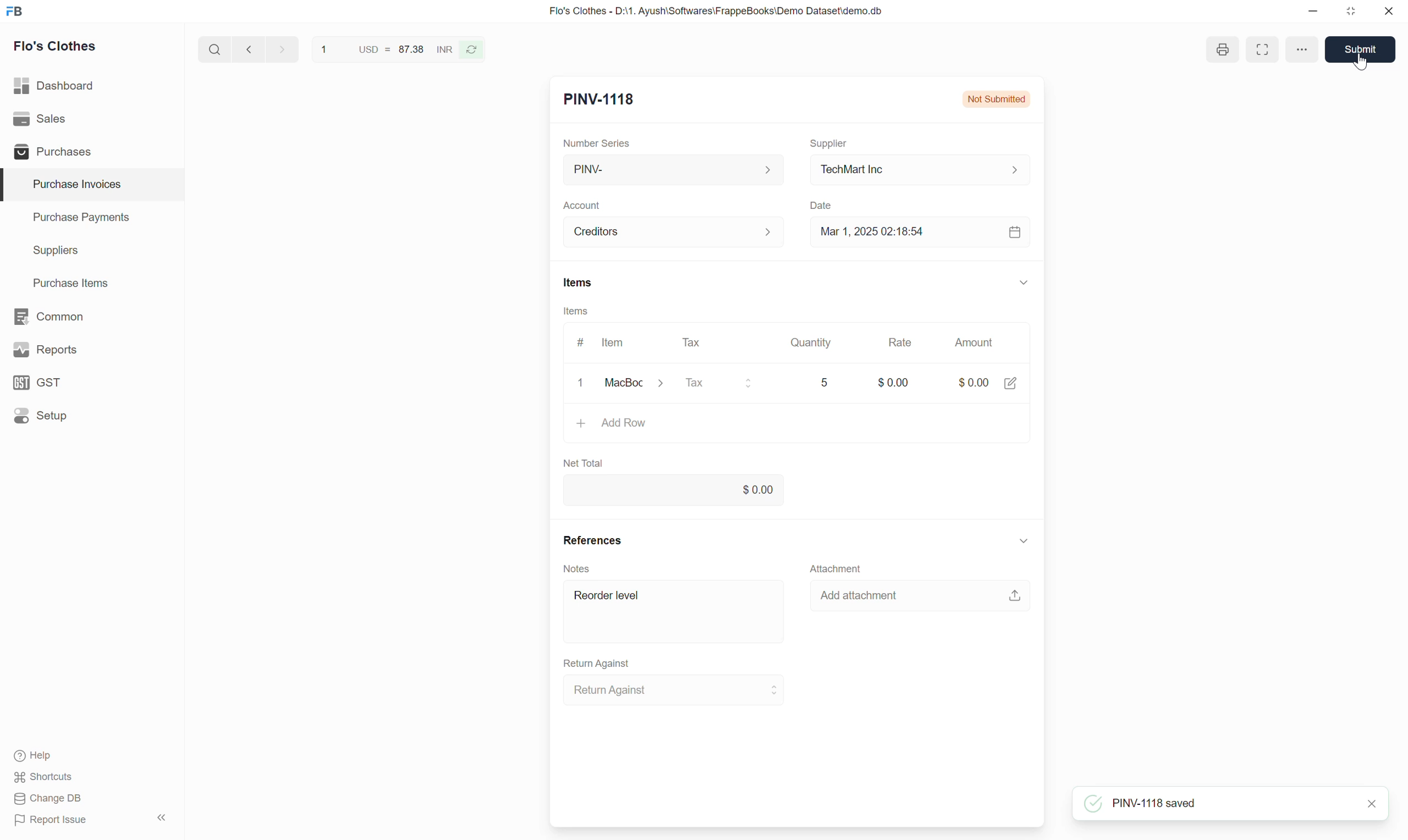 The width and height of the screenshot is (1408, 840). Describe the element at coordinates (1226, 49) in the screenshot. I see `print` at that location.